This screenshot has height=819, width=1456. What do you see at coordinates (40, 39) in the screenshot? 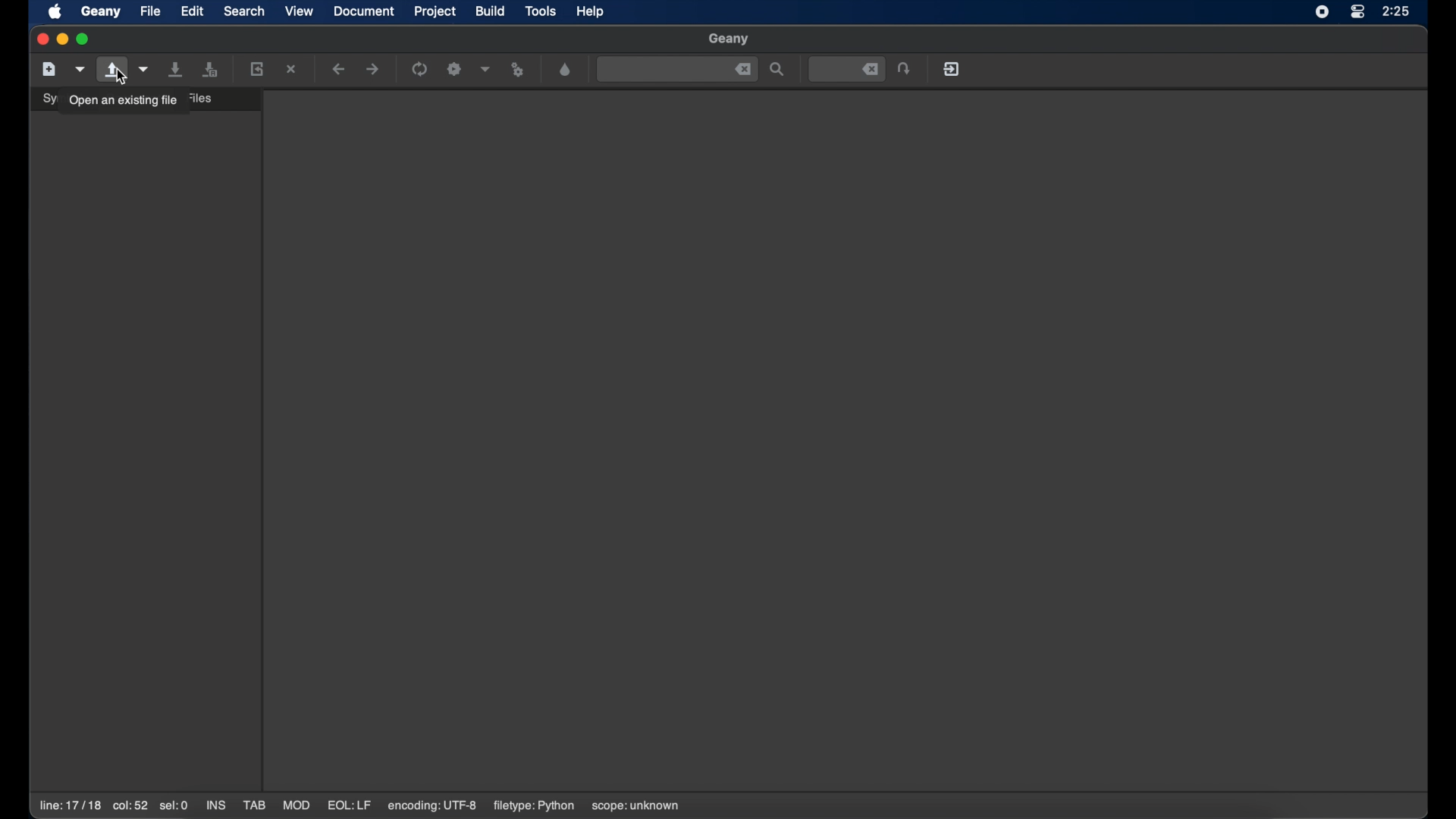
I see `close` at bounding box center [40, 39].